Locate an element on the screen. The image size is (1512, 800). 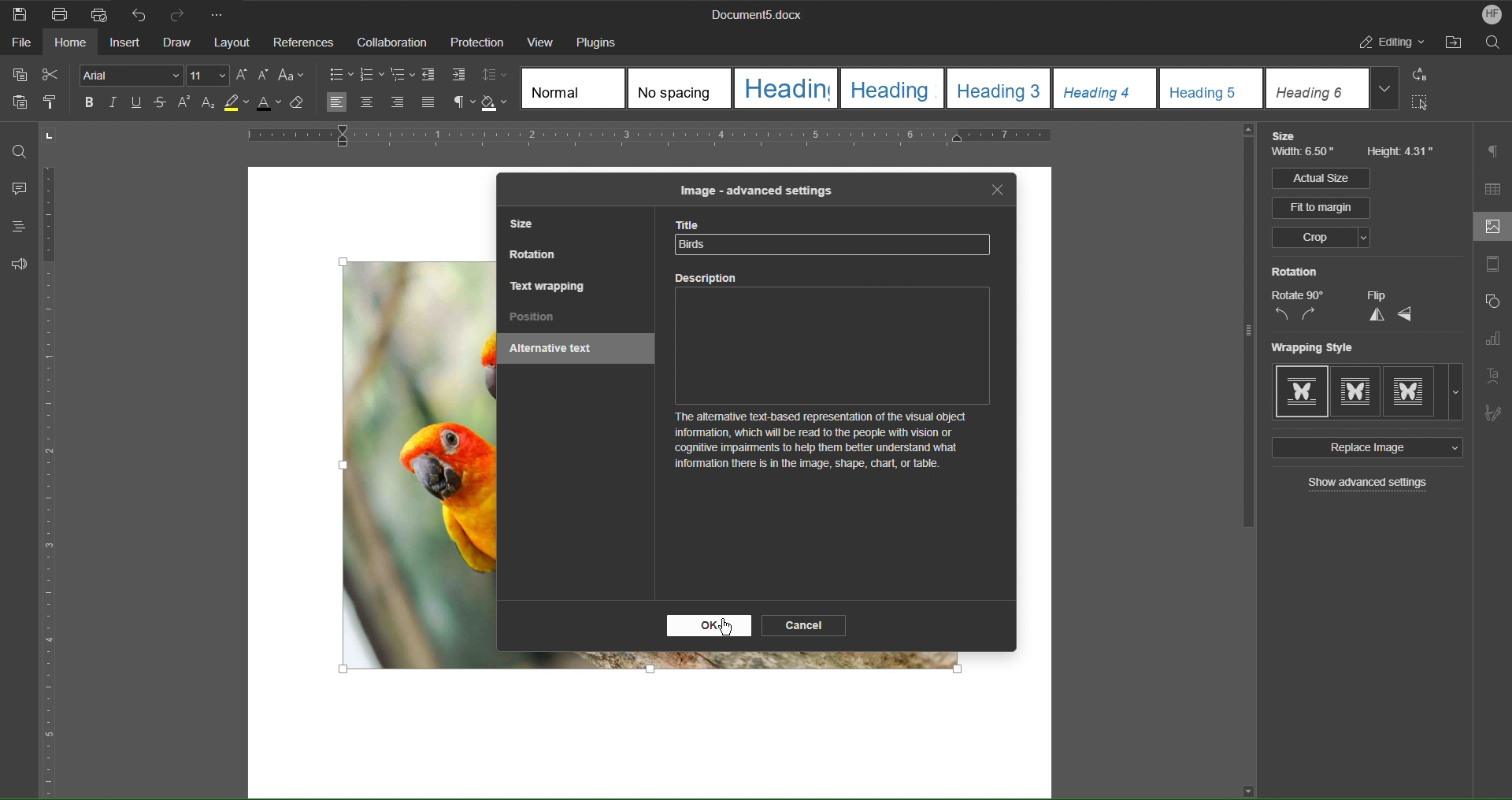
Highlight is located at coordinates (240, 106).